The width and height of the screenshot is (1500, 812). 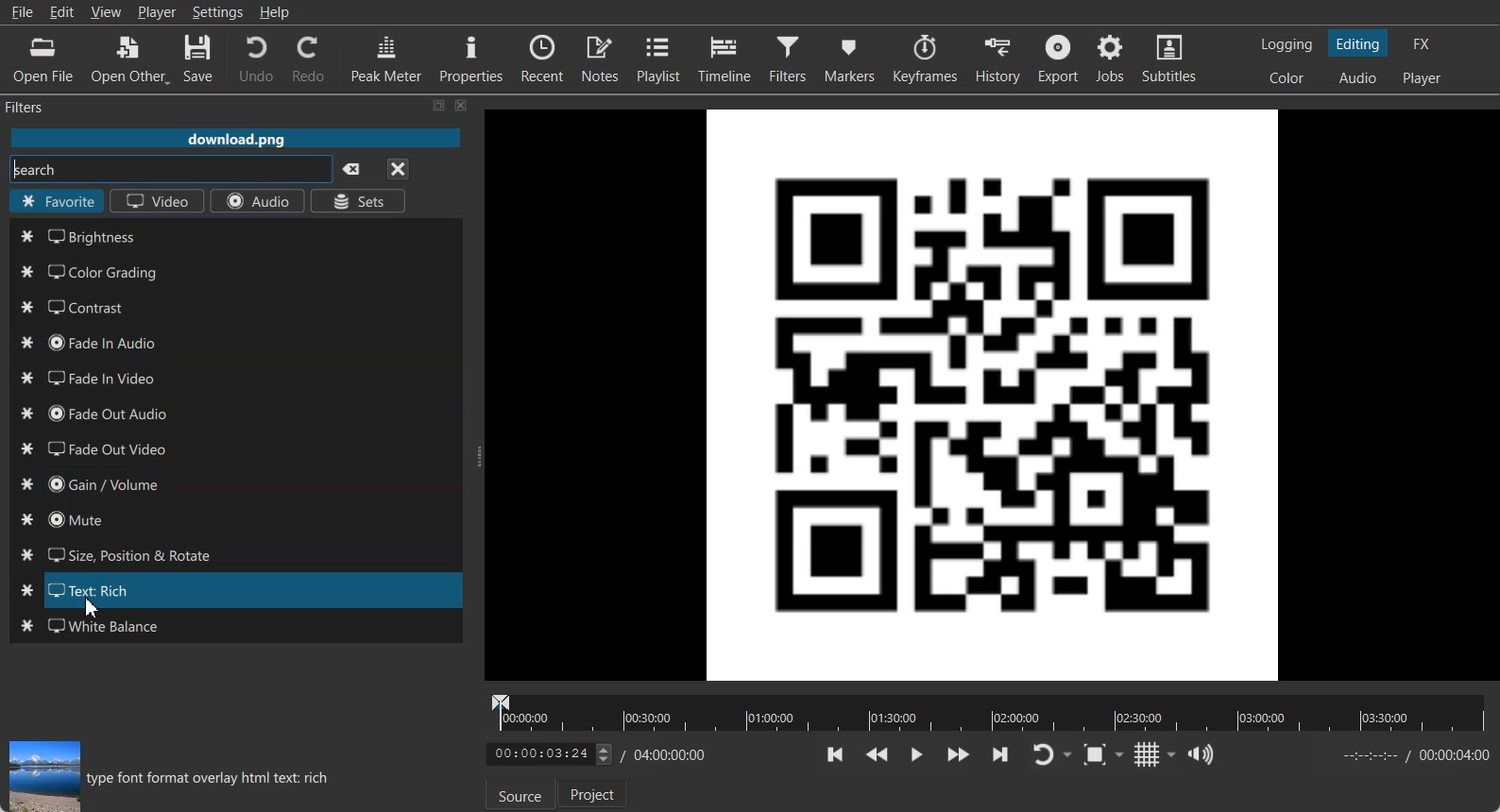 What do you see at coordinates (1149, 754) in the screenshot?
I see `Toggle grid display on the player` at bounding box center [1149, 754].